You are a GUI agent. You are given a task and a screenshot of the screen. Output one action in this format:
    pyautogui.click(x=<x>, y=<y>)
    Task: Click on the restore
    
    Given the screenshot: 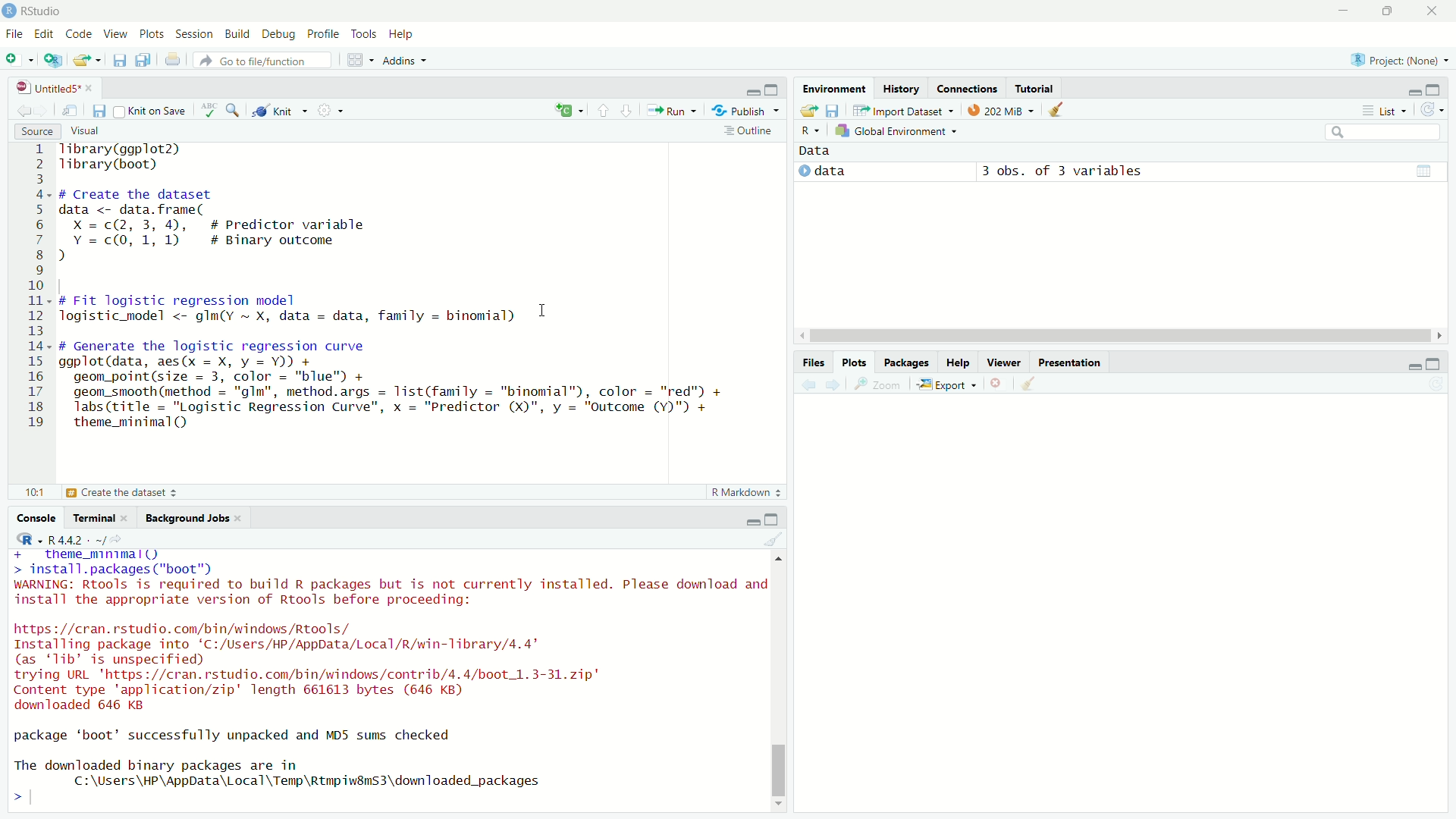 What is the action you would take?
    pyautogui.click(x=1389, y=11)
    